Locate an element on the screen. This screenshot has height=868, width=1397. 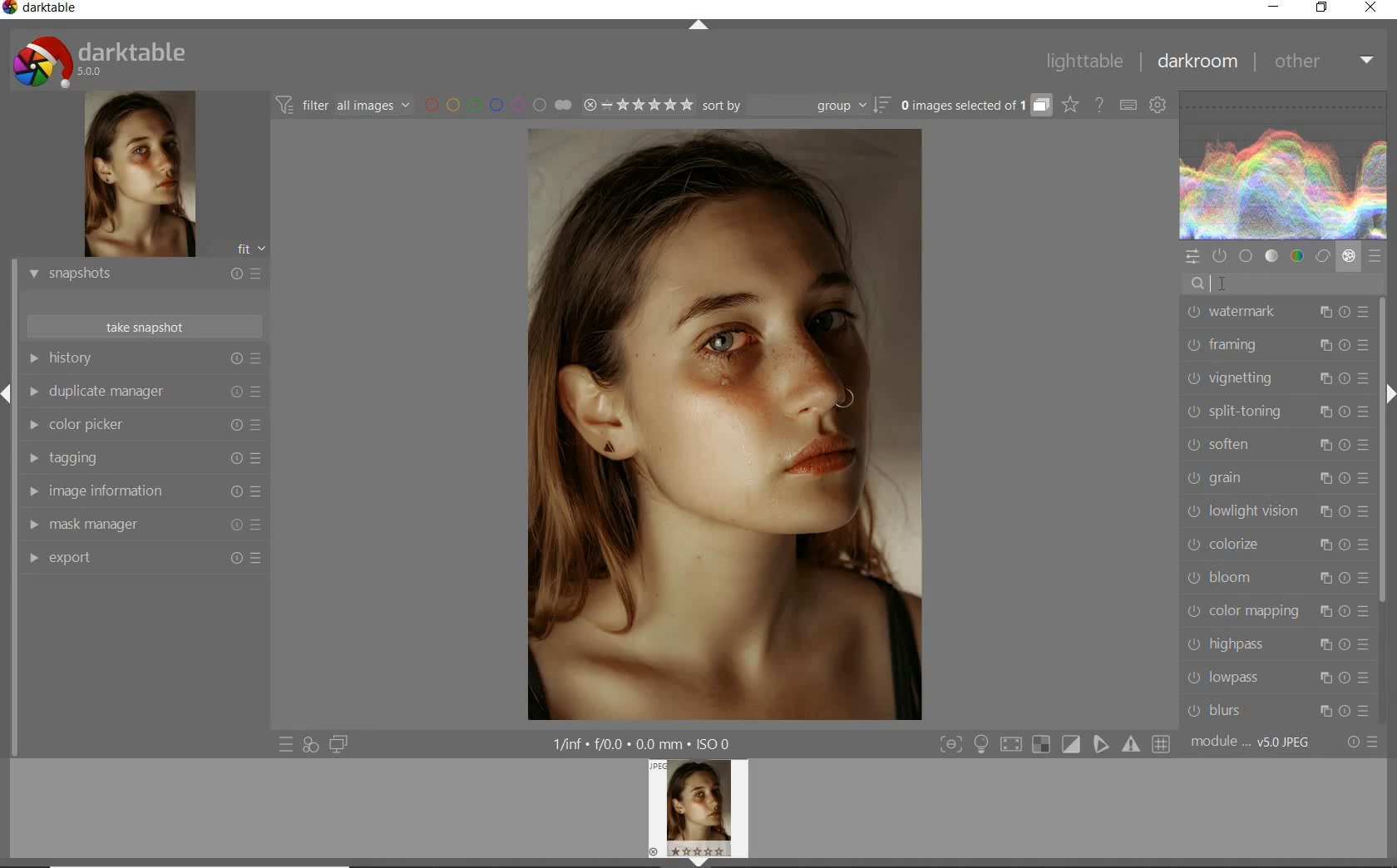
restore is located at coordinates (1322, 11).